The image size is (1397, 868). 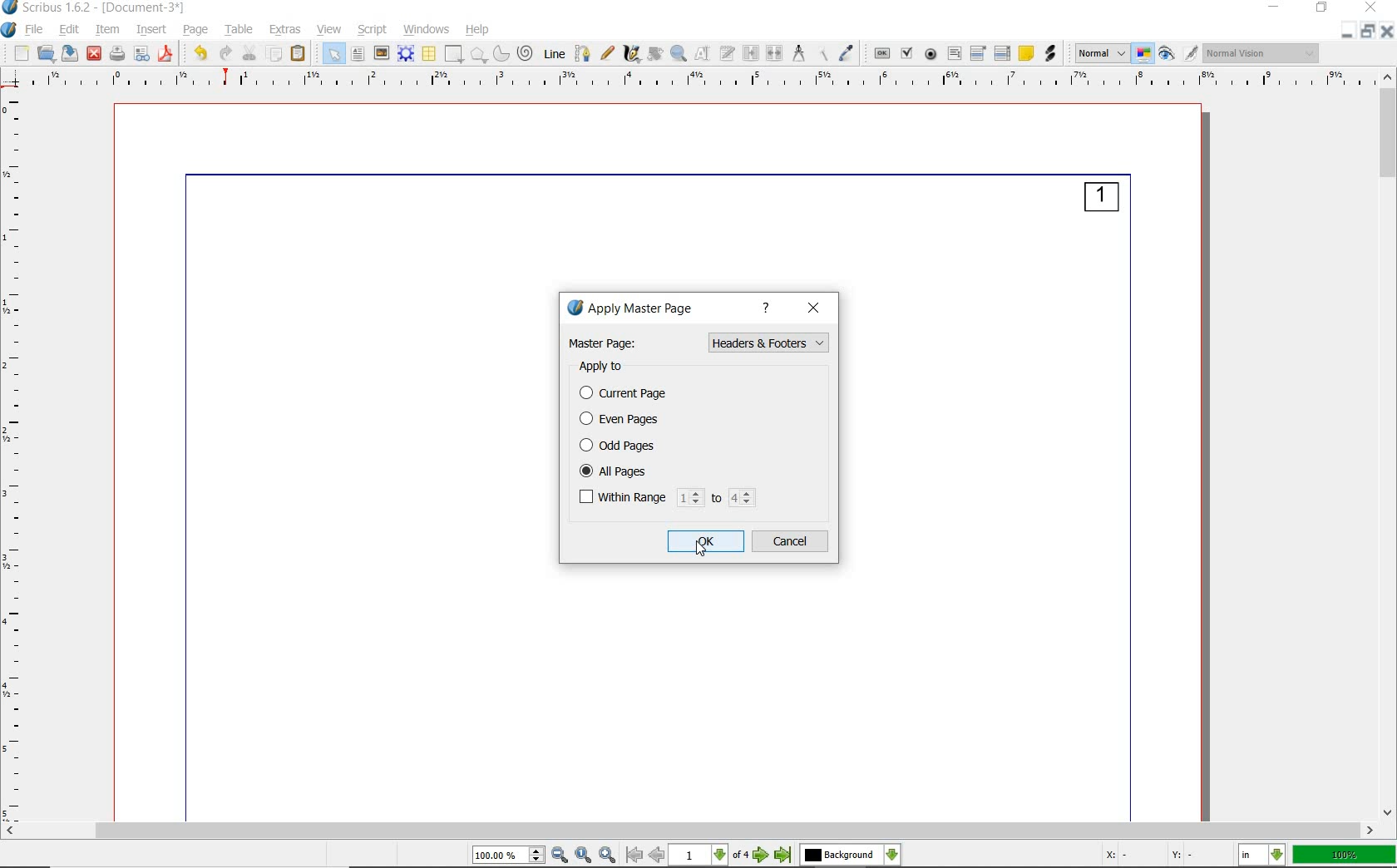 I want to click on link annotation, so click(x=1051, y=53).